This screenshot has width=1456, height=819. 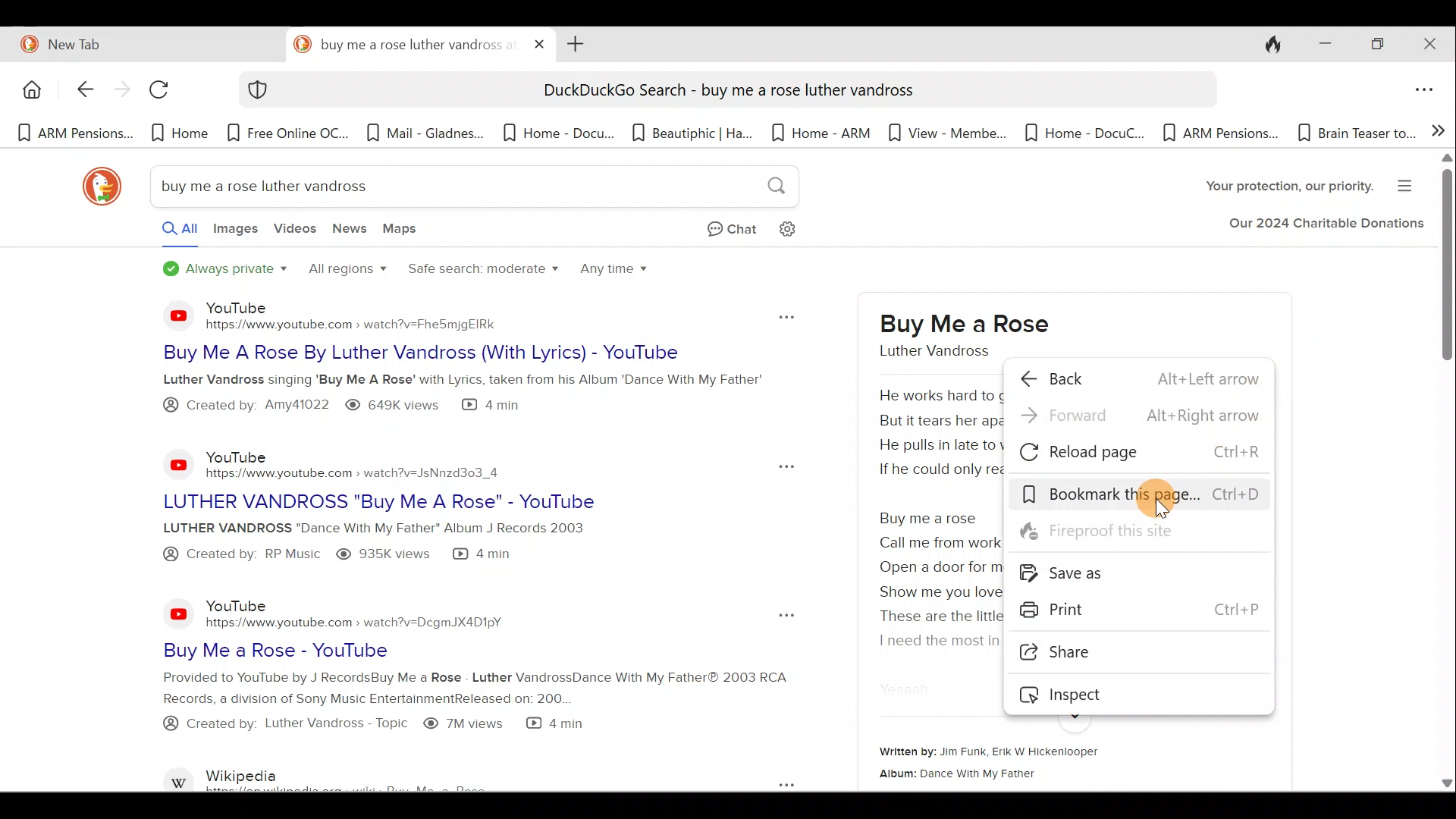 I want to click on Scroll bar, so click(x=1445, y=473).